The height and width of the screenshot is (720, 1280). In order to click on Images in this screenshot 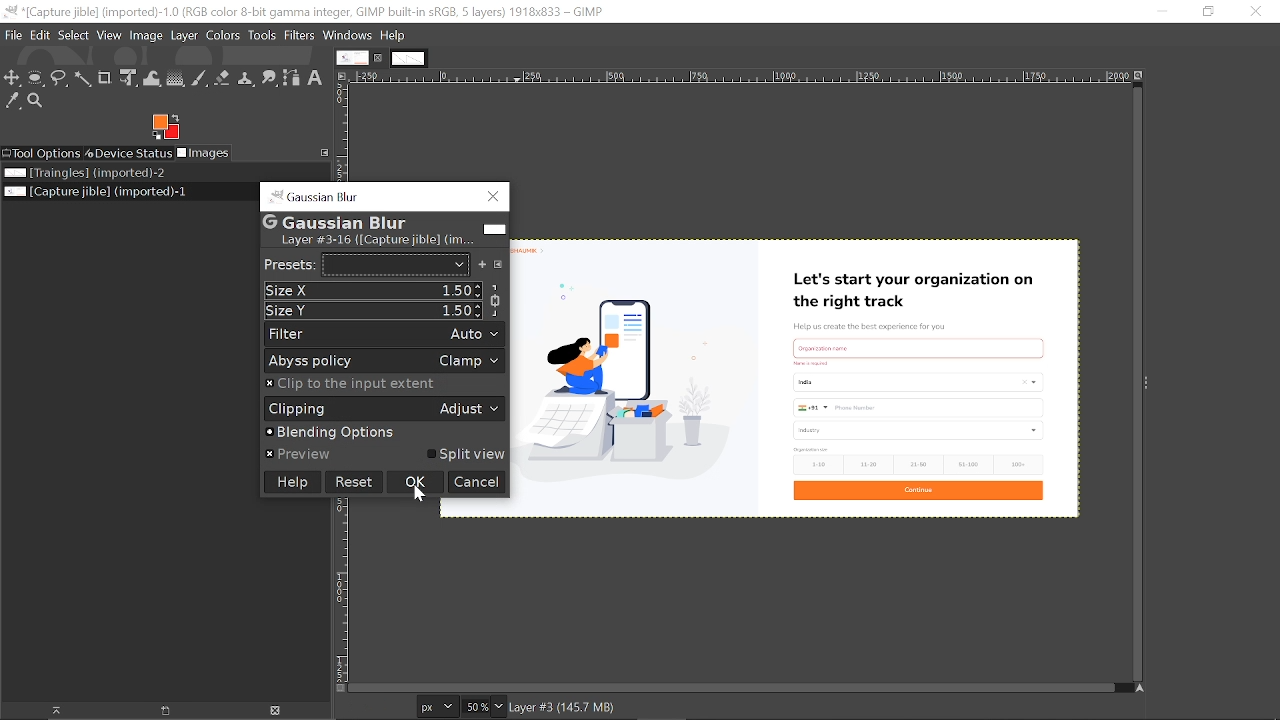, I will do `click(205, 153)`.